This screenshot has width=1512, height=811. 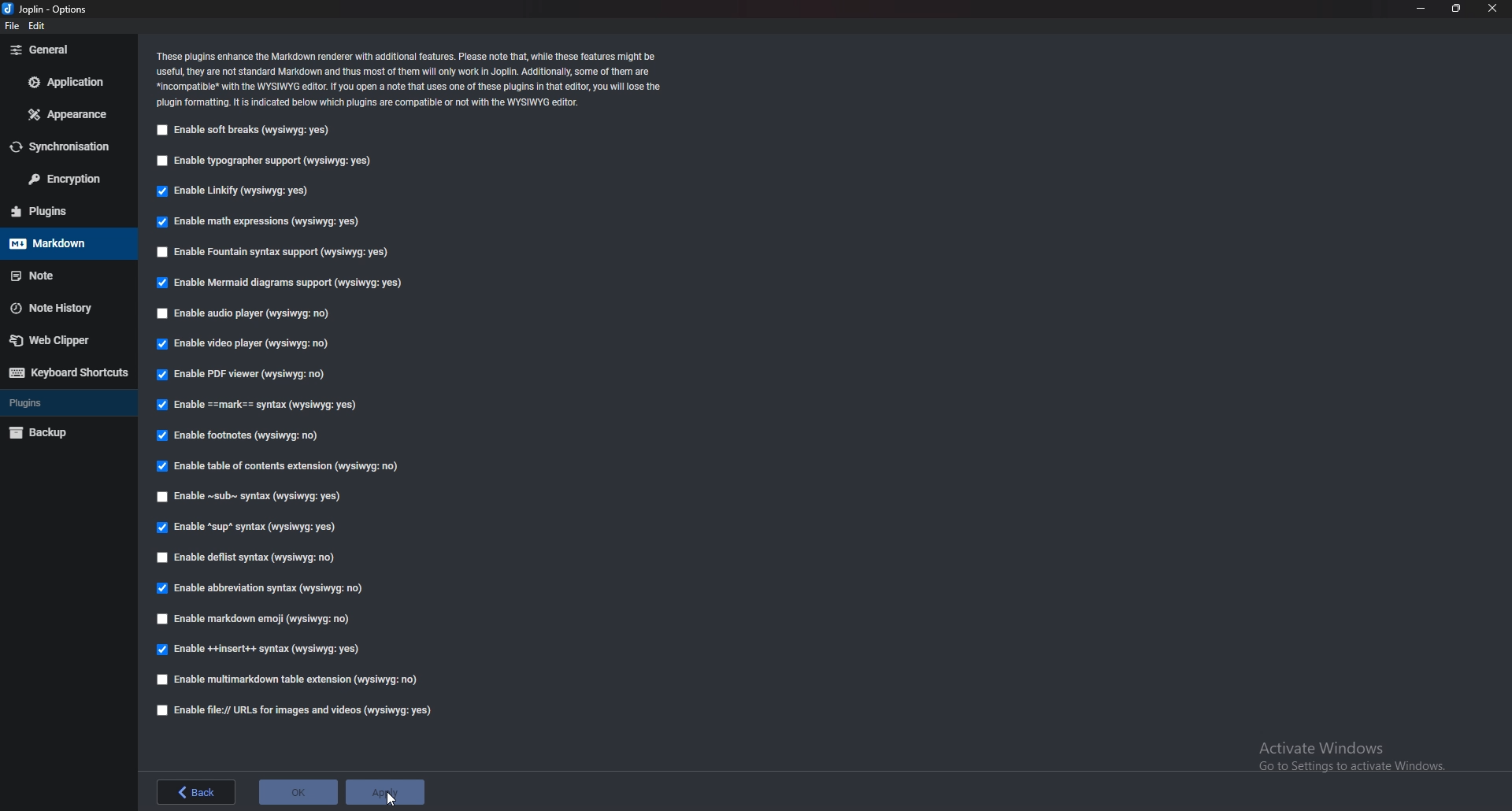 I want to click on Enable P D F viewer, so click(x=246, y=376).